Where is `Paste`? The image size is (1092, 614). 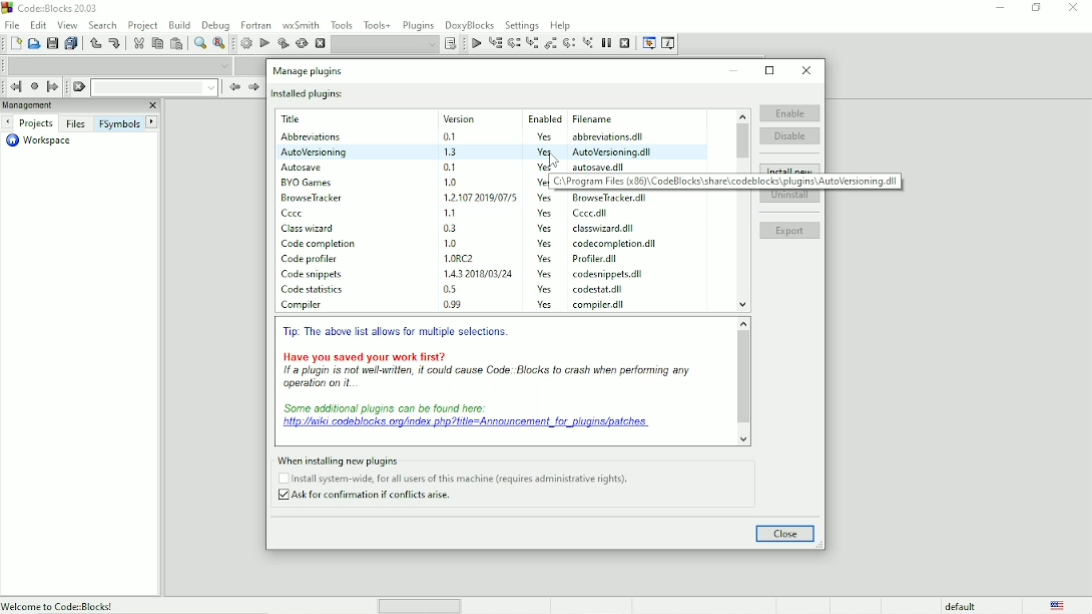 Paste is located at coordinates (178, 44).